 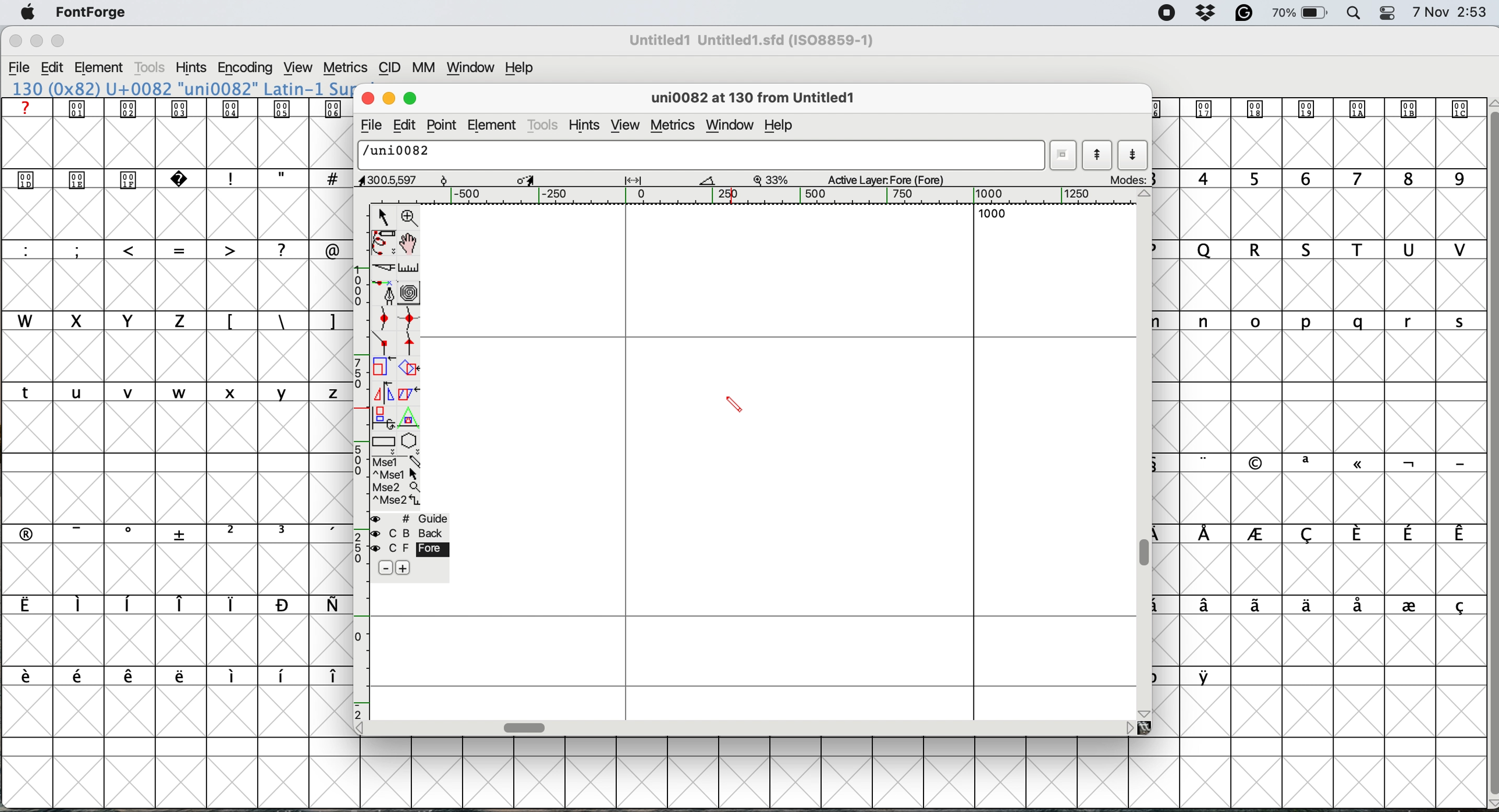 I want to click on cursor, so click(x=737, y=405).